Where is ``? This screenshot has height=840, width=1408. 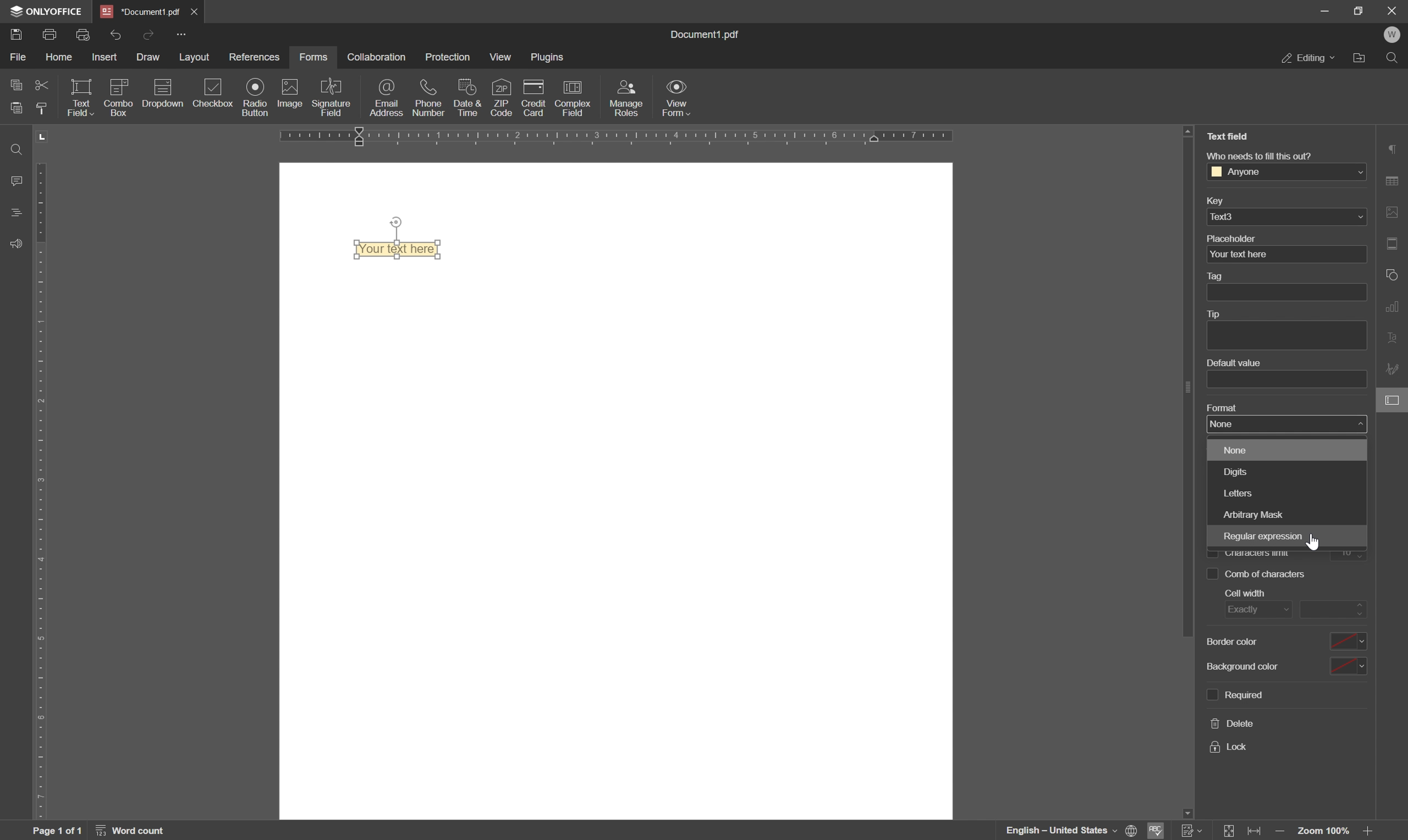  is located at coordinates (710, 35).